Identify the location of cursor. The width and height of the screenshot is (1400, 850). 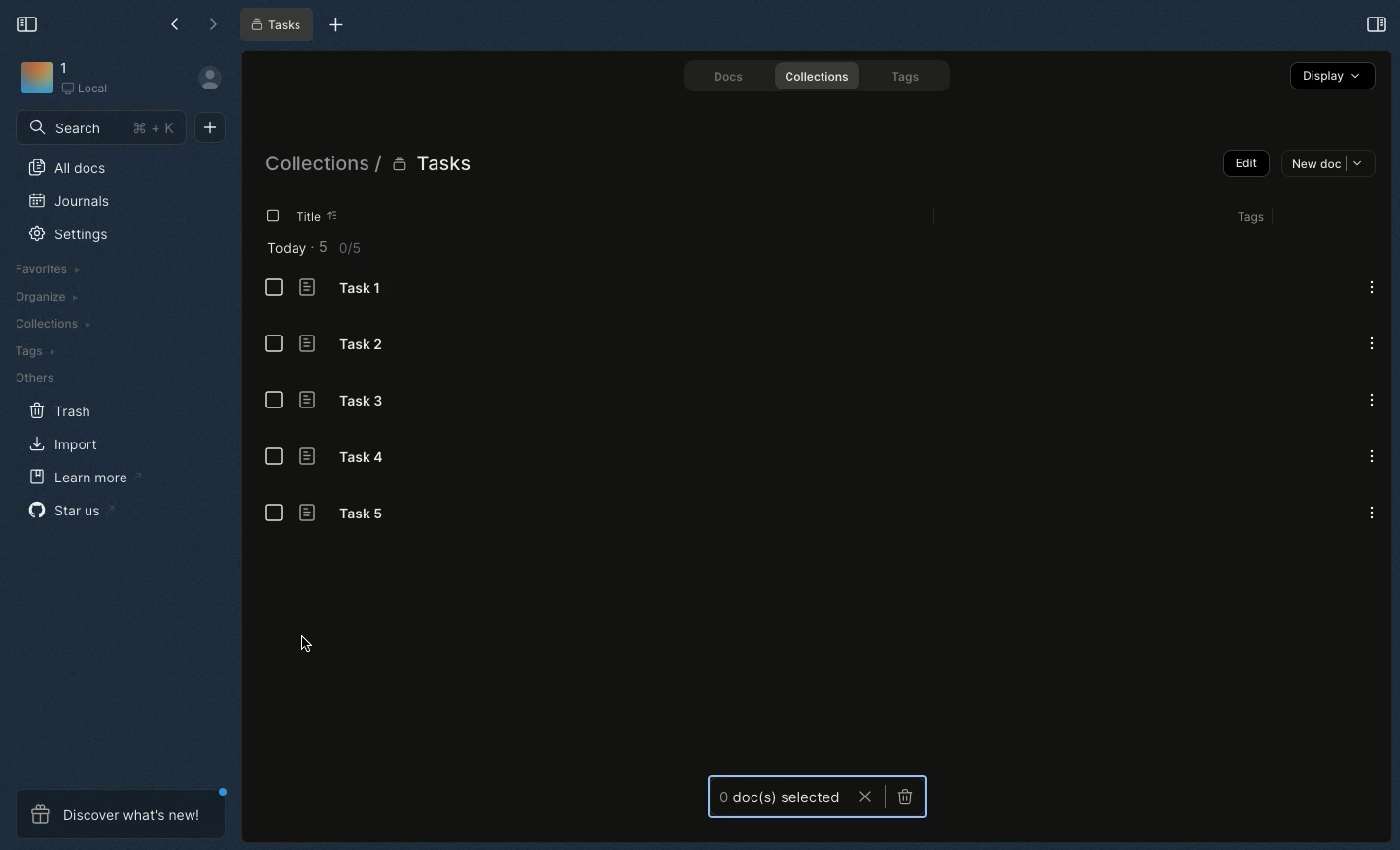
(304, 645).